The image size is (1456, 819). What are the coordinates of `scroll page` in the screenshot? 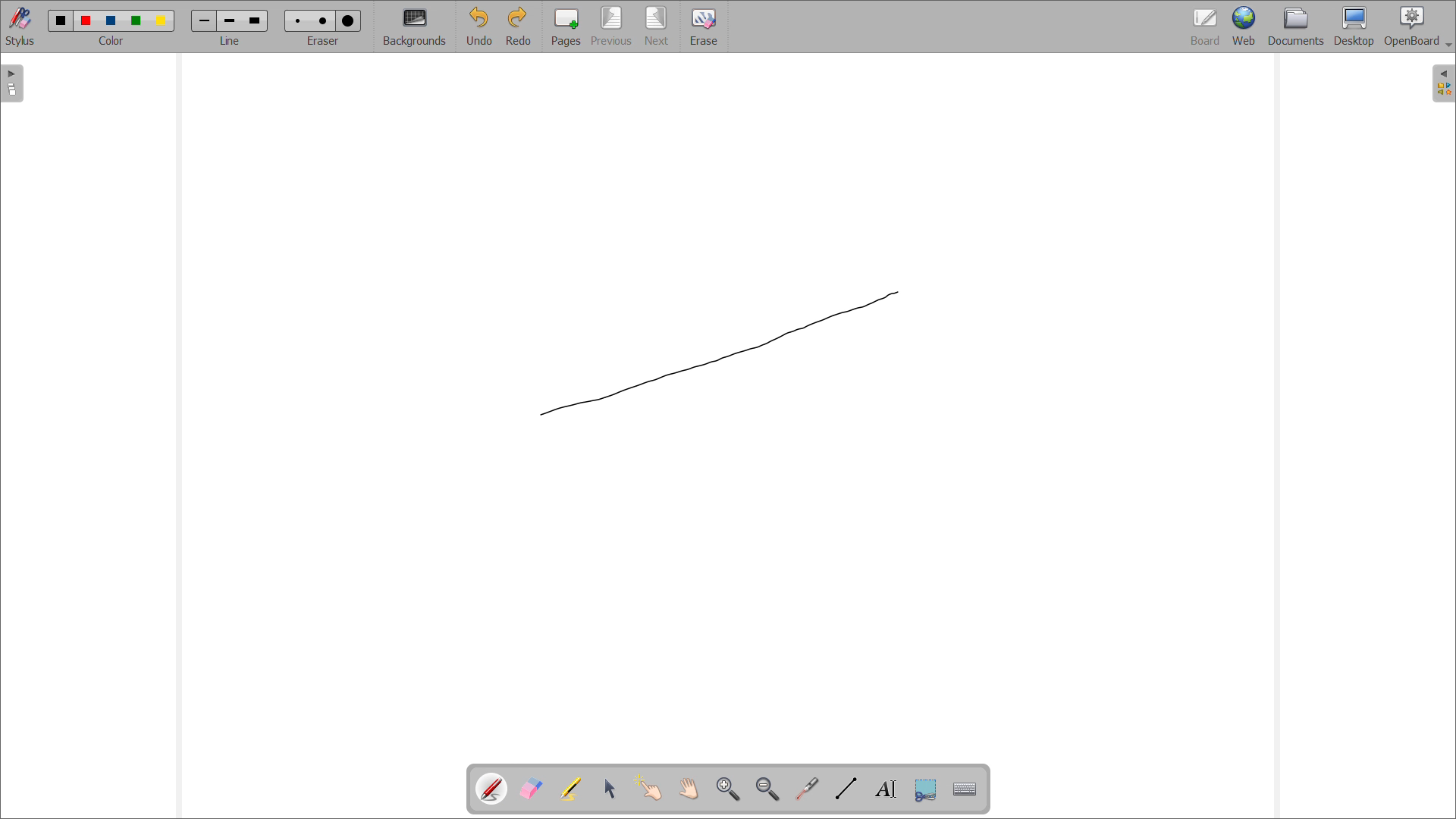 It's located at (689, 788).